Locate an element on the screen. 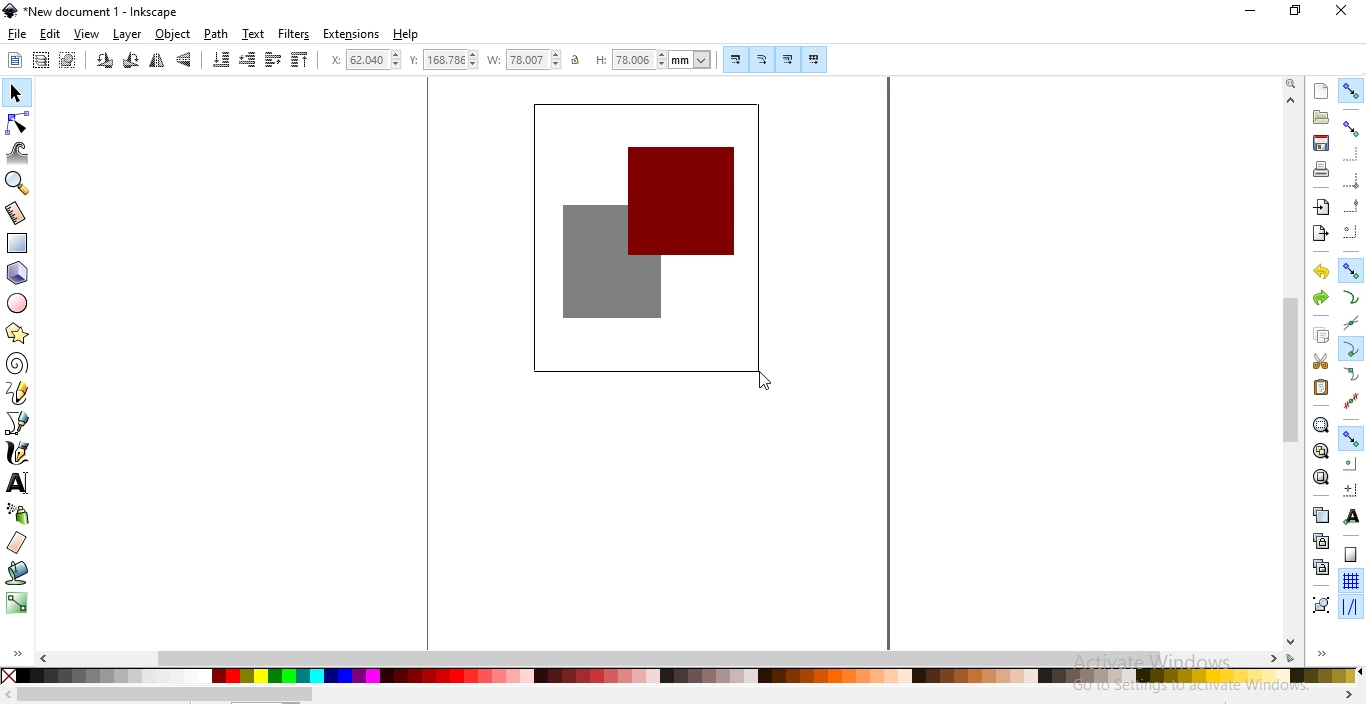 This screenshot has height=704, width=1366. snap an items rotation is located at coordinates (1352, 490).